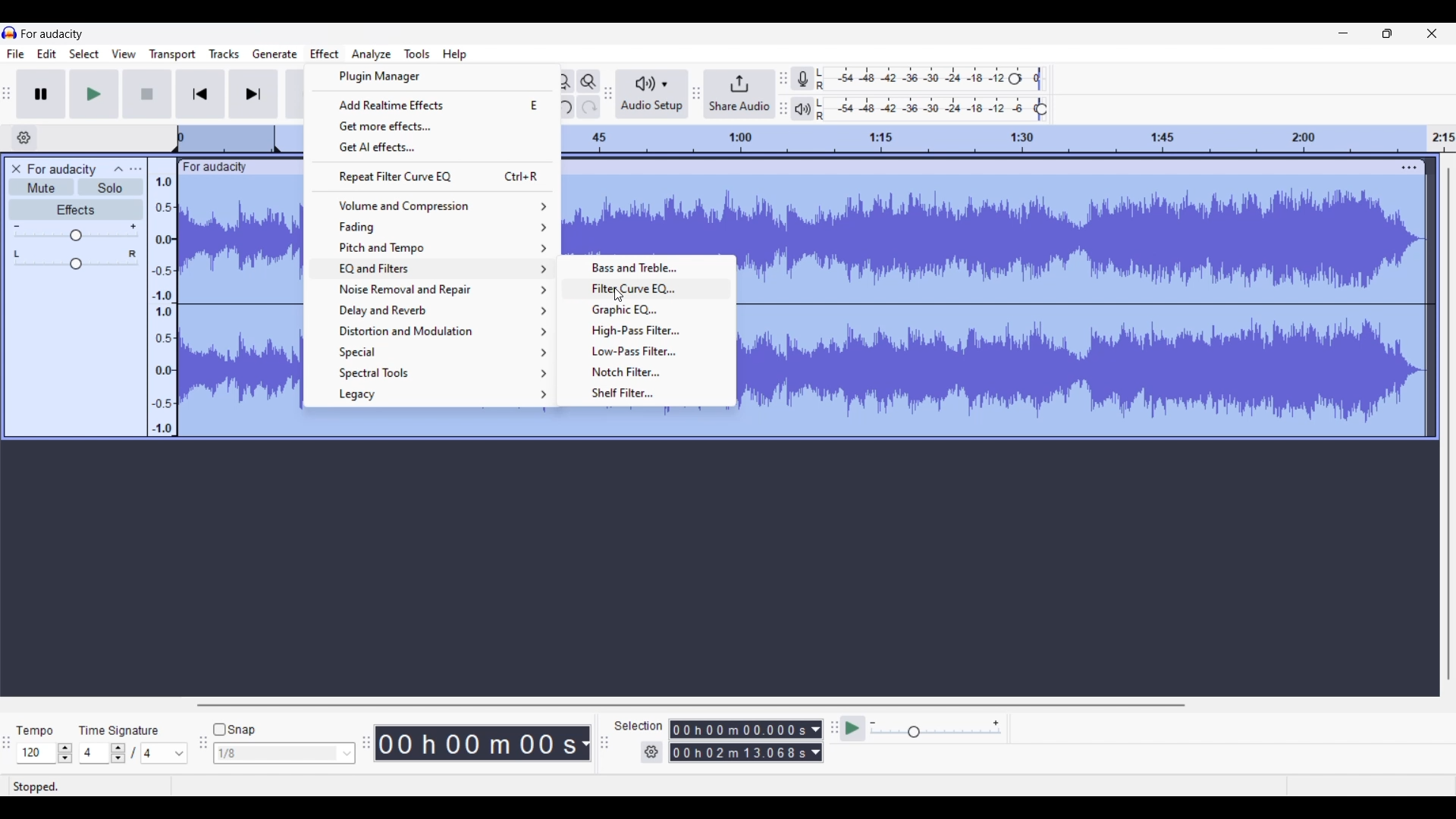  Describe the element at coordinates (454, 55) in the screenshot. I see `Help menu` at that location.